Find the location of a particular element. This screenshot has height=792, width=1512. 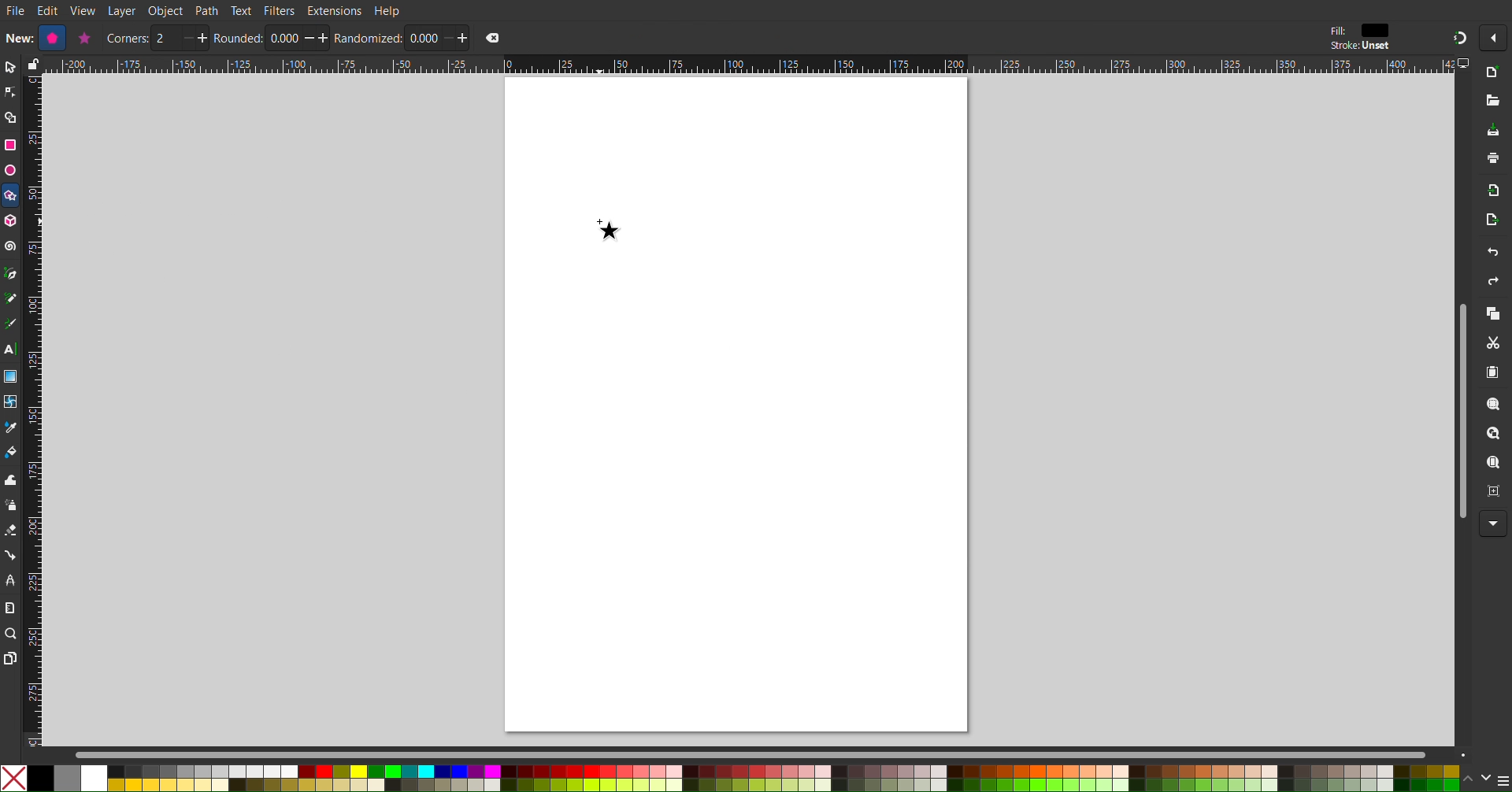

Calligraphy Tool is located at coordinates (9, 324).